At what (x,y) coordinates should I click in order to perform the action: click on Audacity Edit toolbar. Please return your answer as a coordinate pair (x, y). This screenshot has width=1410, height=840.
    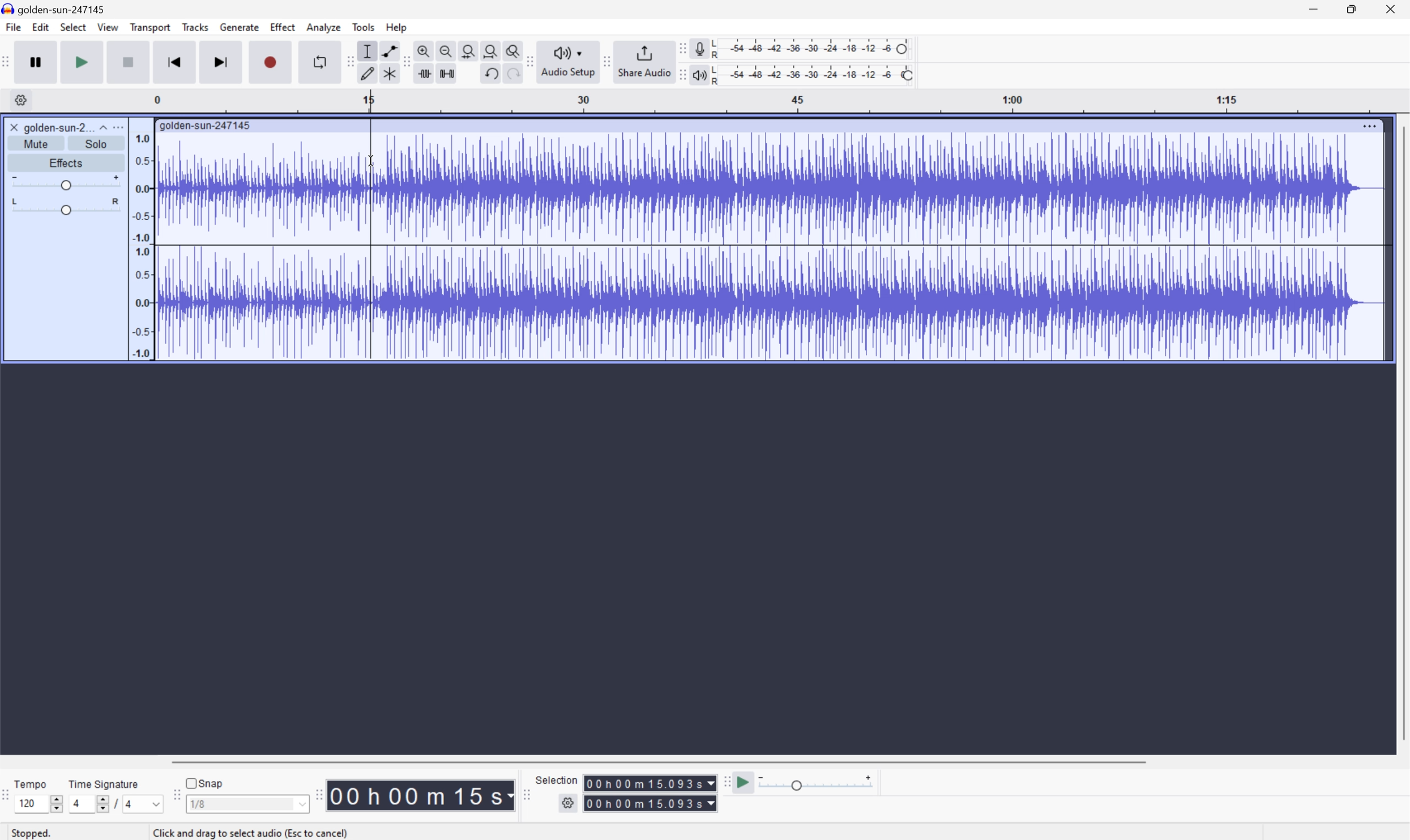
    Looking at the image, I should click on (347, 62).